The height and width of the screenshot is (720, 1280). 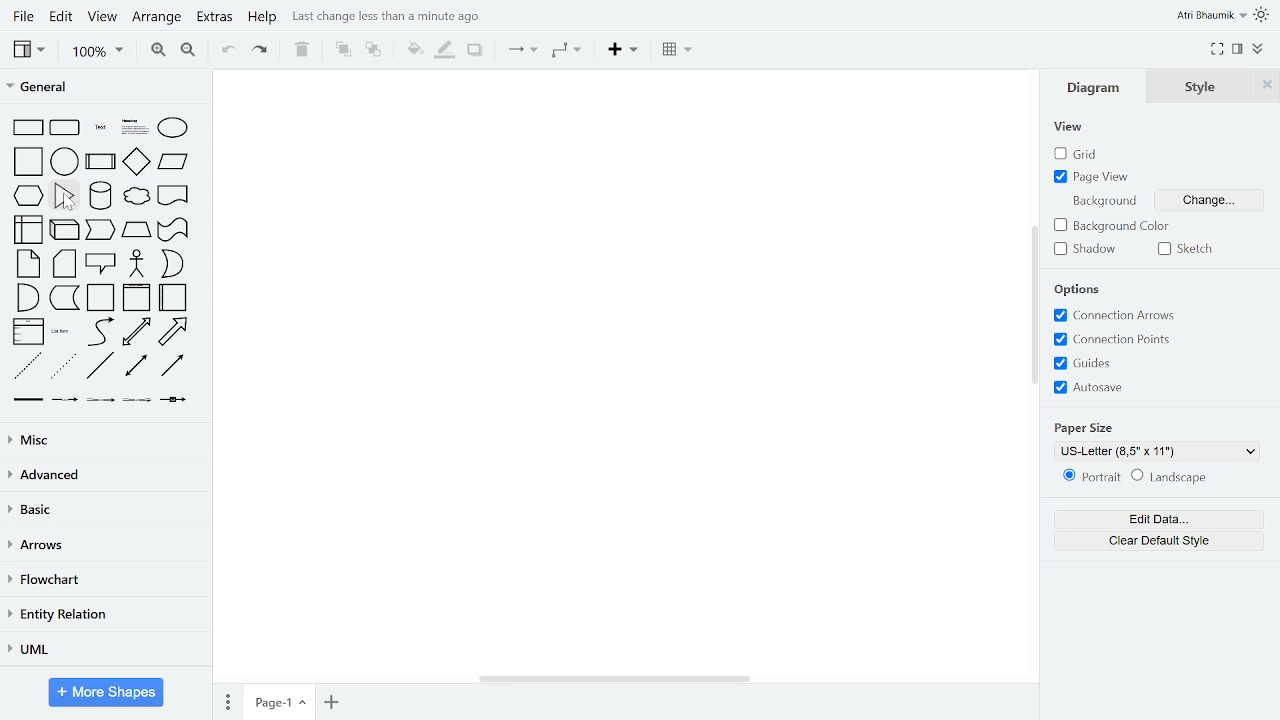 What do you see at coordinates (1159, 541) in the screenshot?
I see `clear data style` at bounding box center [1159, 541].